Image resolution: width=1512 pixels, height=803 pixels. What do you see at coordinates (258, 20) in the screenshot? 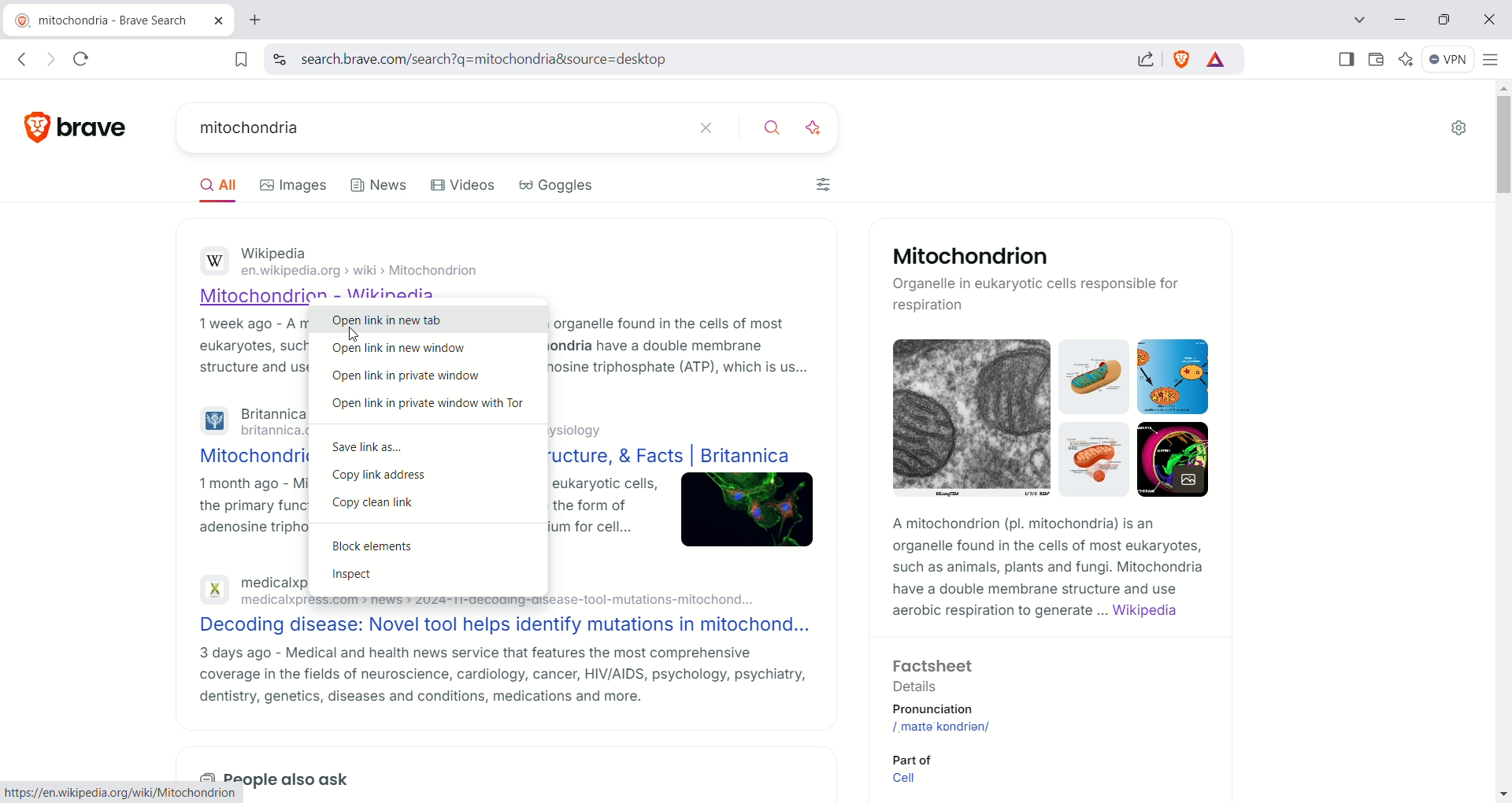
I see `new tab` at bounding box center [258, 20].